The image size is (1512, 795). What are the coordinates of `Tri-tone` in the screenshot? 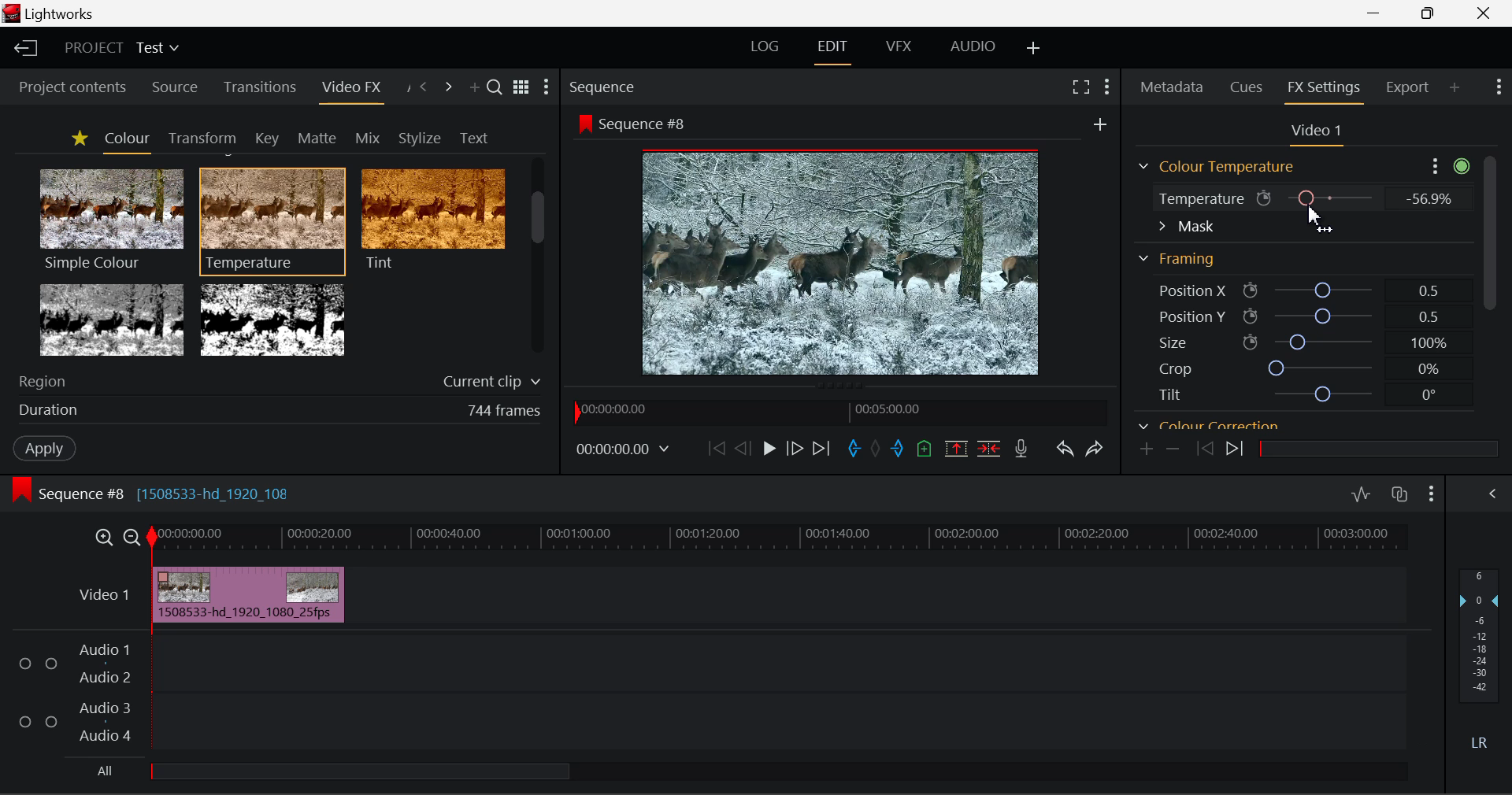 It's located at (113, 319).